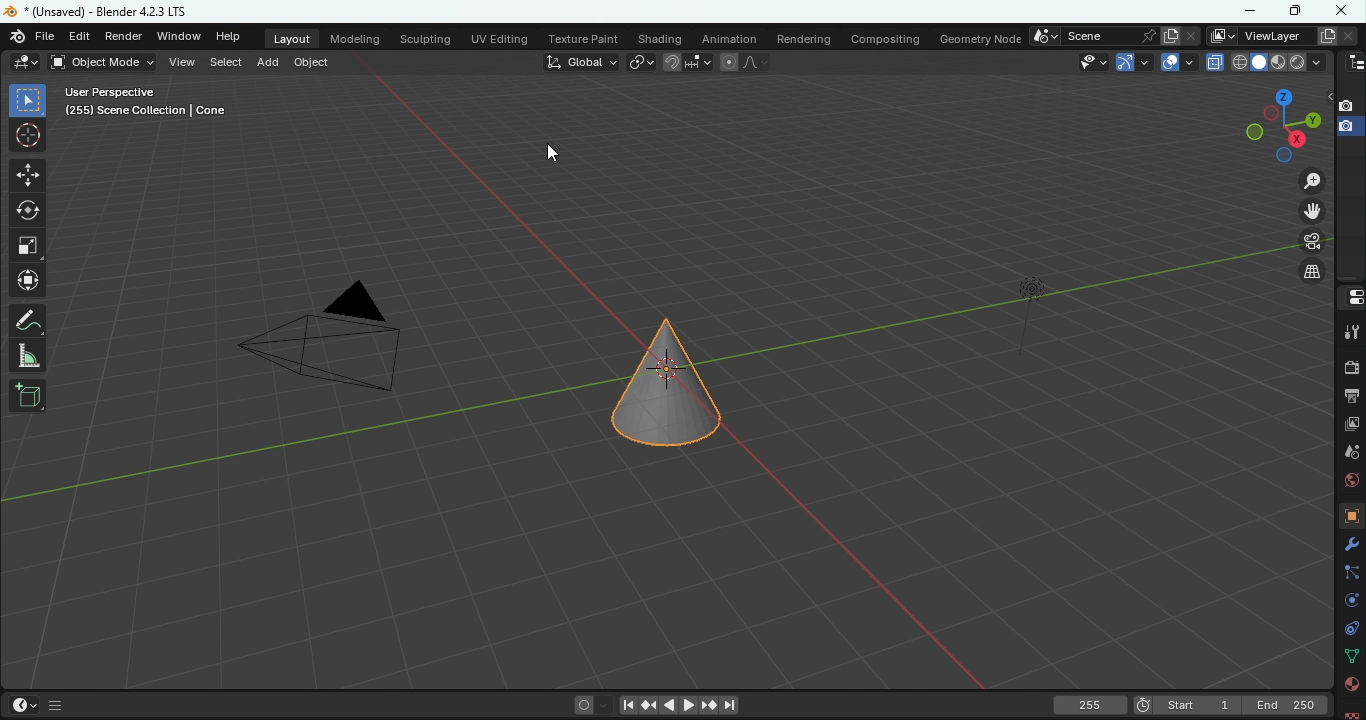 The image size is (1366, 720). What do you see at coordinates (582, 705) in the screenshot?
I see `Auto keying` at bounding box center [582, 705].